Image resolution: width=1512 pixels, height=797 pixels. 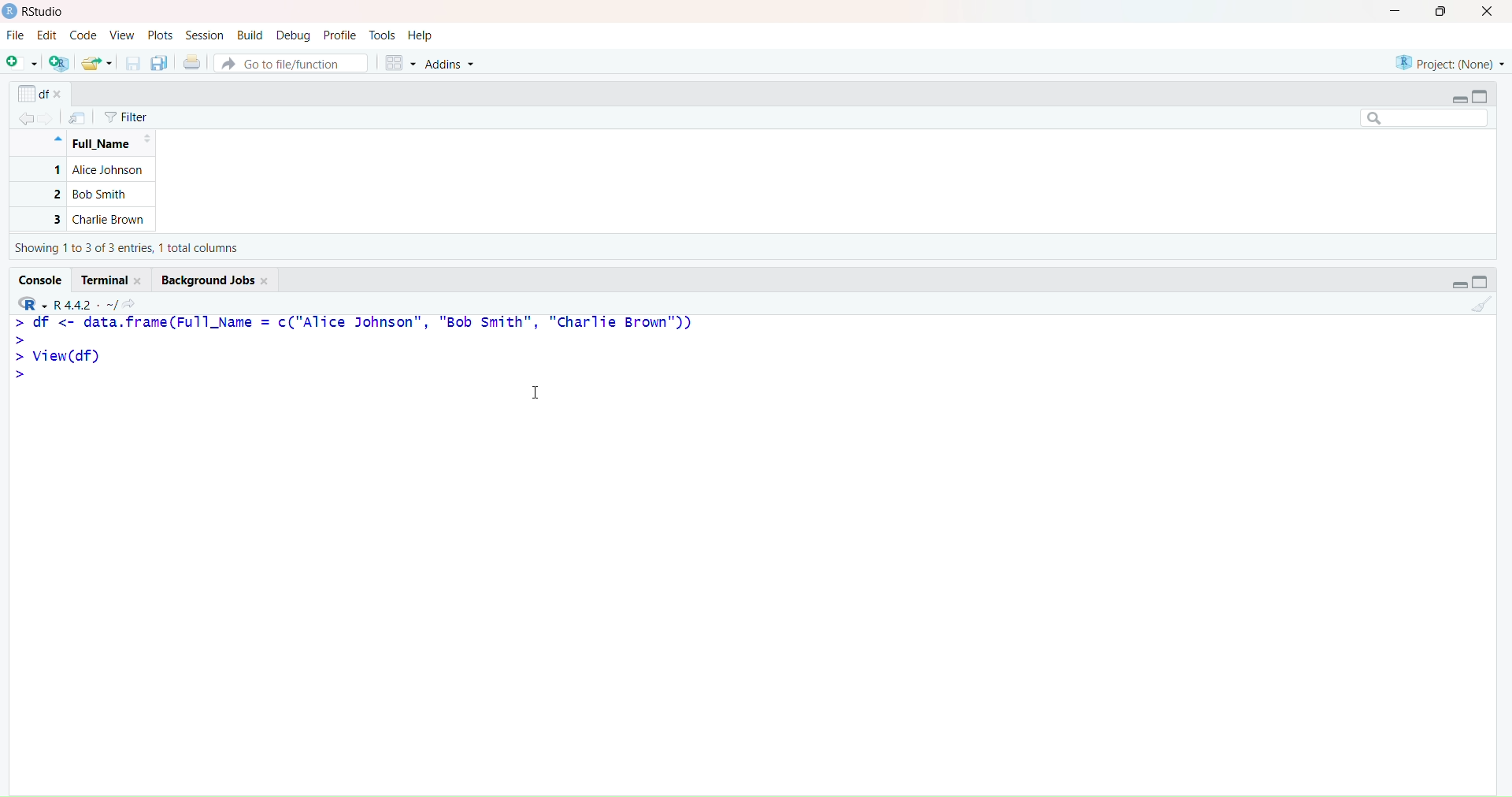 I want to click on Addins, so click(x=453, y=64).